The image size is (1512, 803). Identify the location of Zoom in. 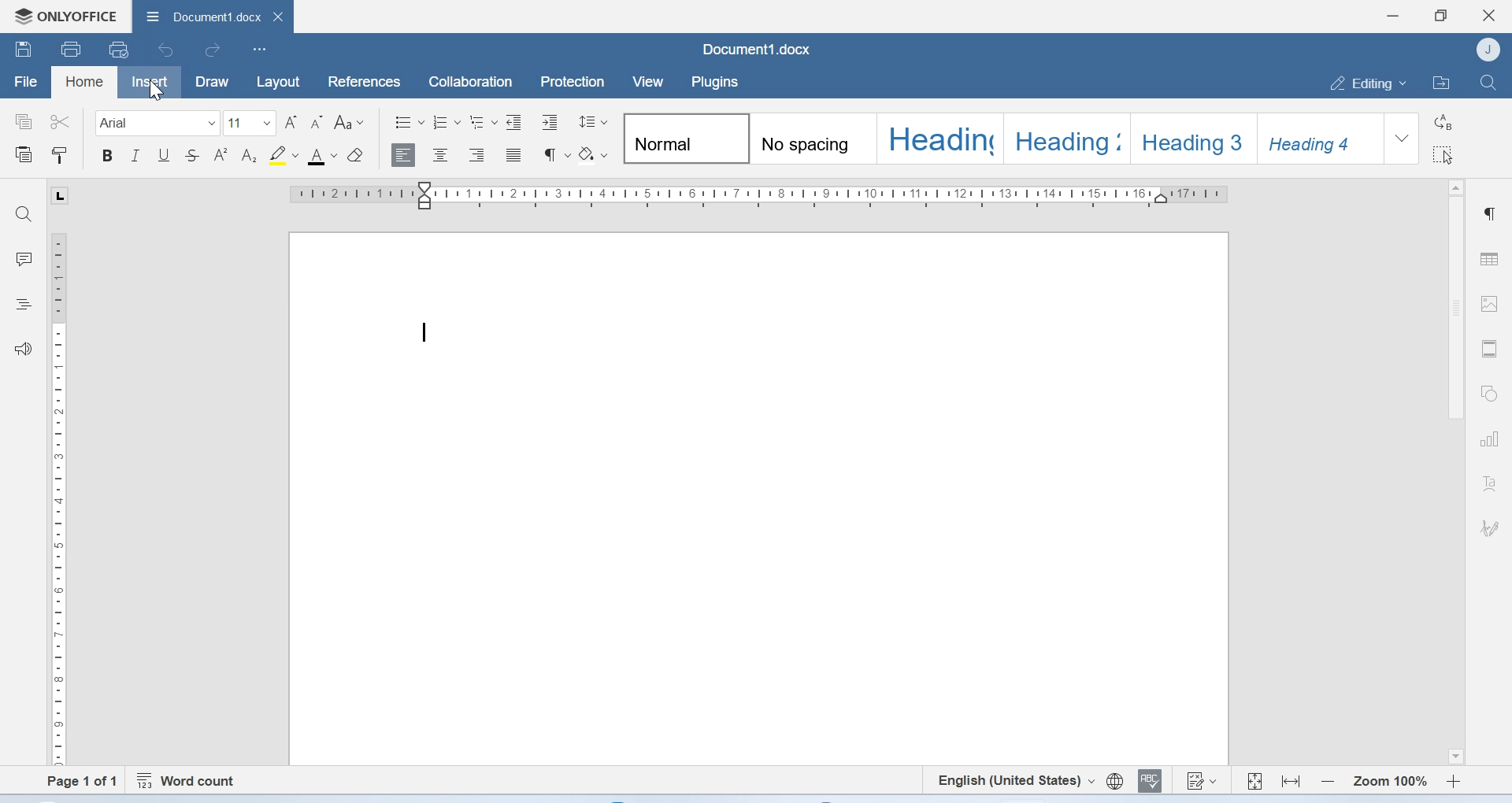
(1454, 779).